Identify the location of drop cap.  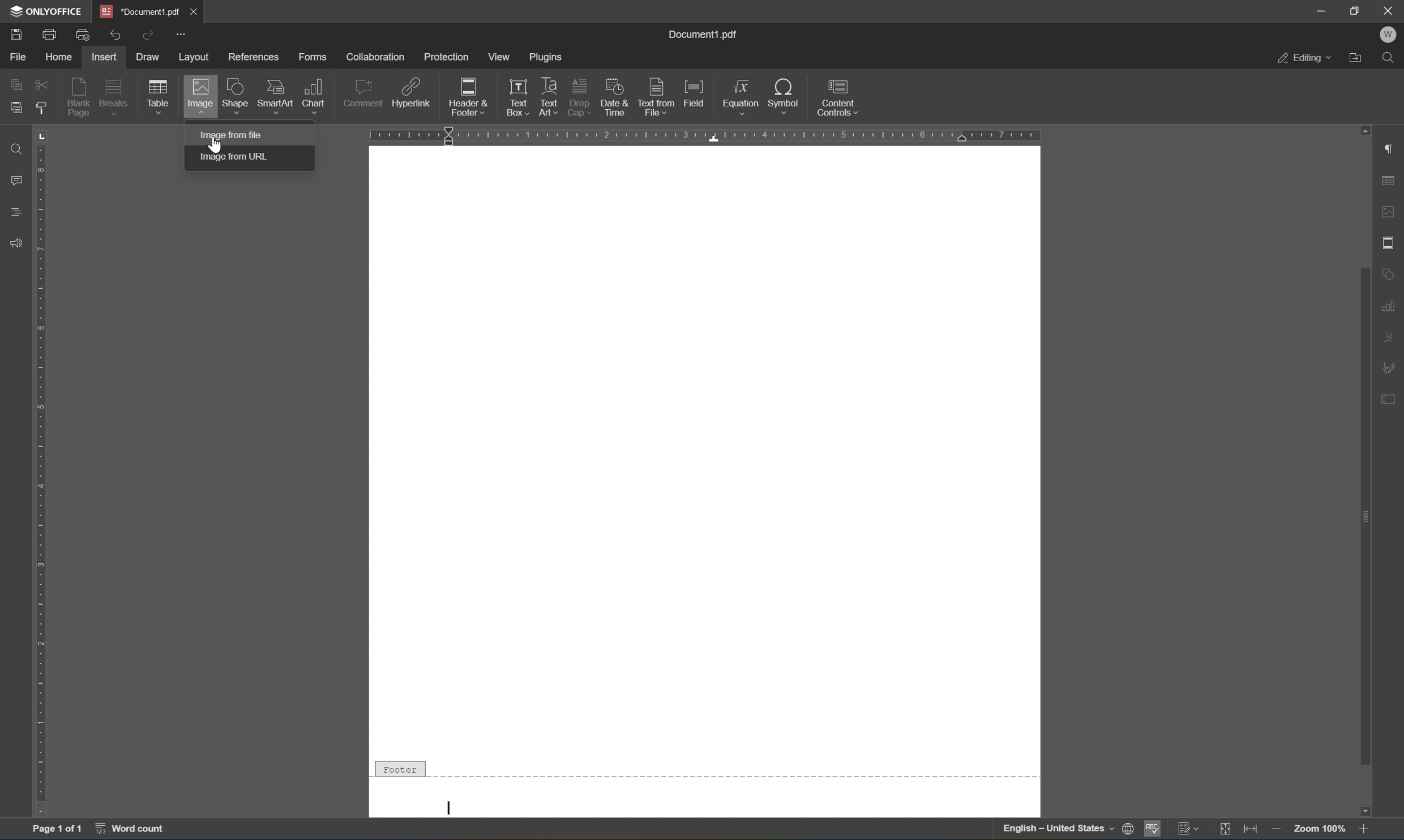
(581, 87).